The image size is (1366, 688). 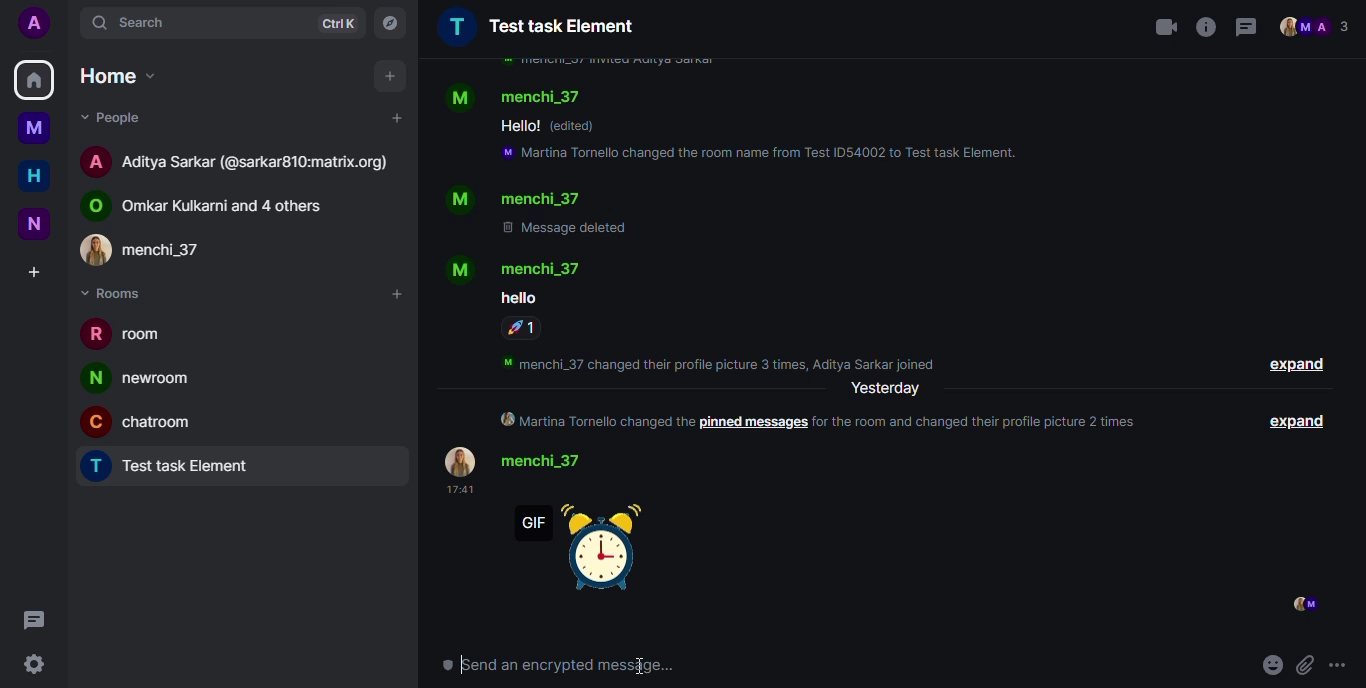 What do you see at coordinates (146, 420) in the screenshot?
I see `chatroom` at bounding box center [146, 420].